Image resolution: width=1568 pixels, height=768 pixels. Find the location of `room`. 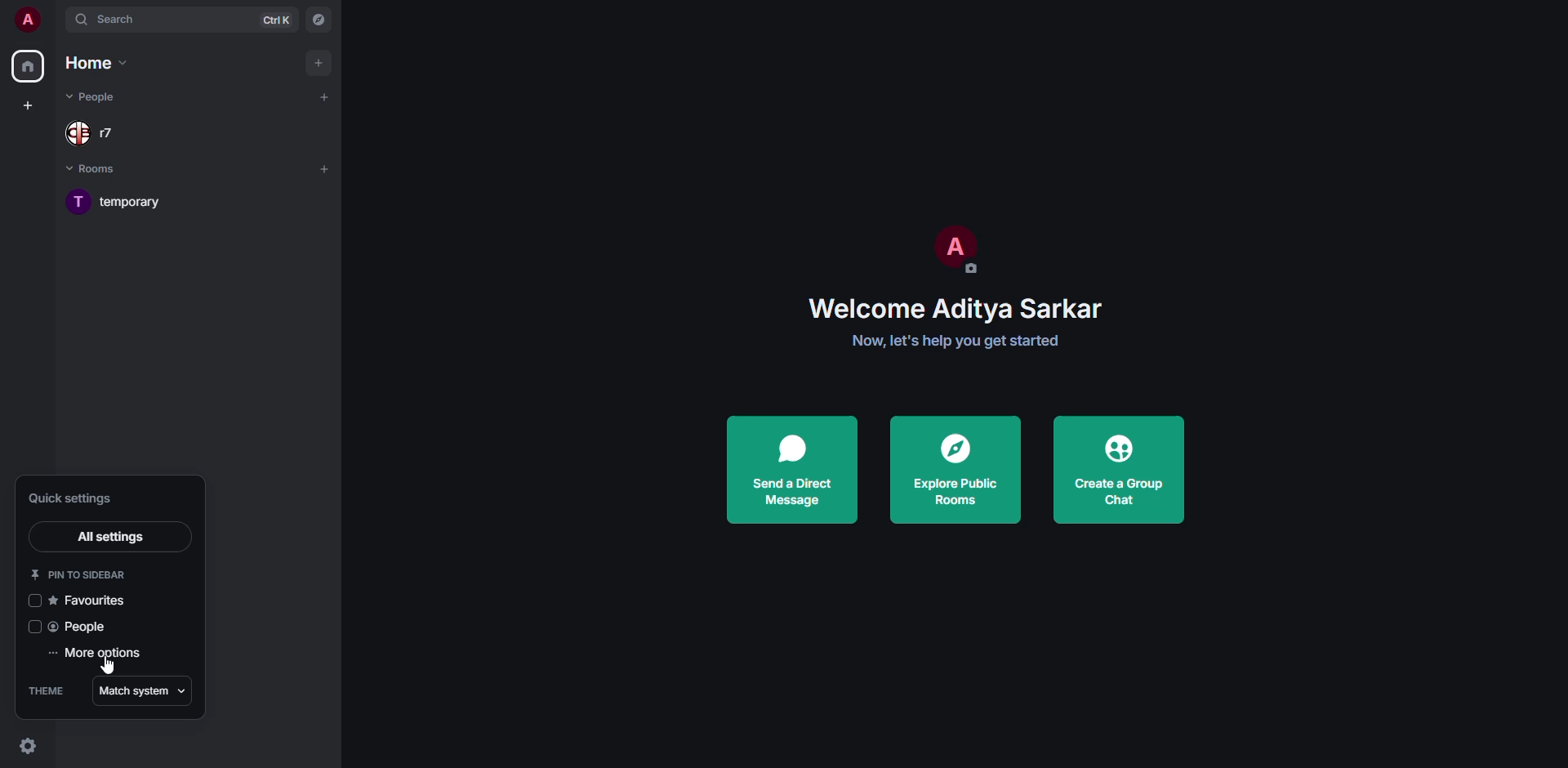

room is located at coordinates (133, 205).